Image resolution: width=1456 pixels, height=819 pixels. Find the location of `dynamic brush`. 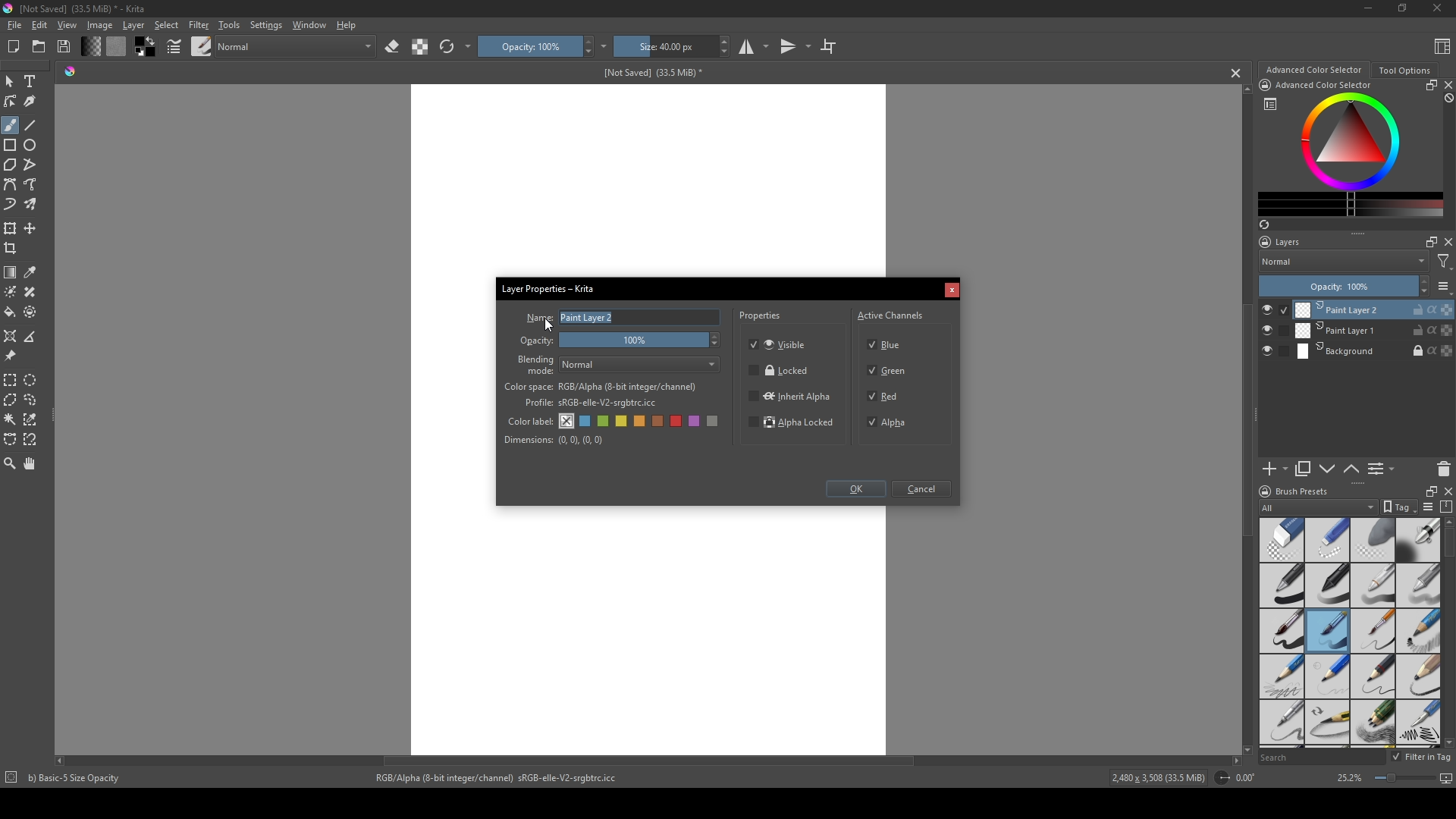

dynamic brush is located at coordinates (11, 206).